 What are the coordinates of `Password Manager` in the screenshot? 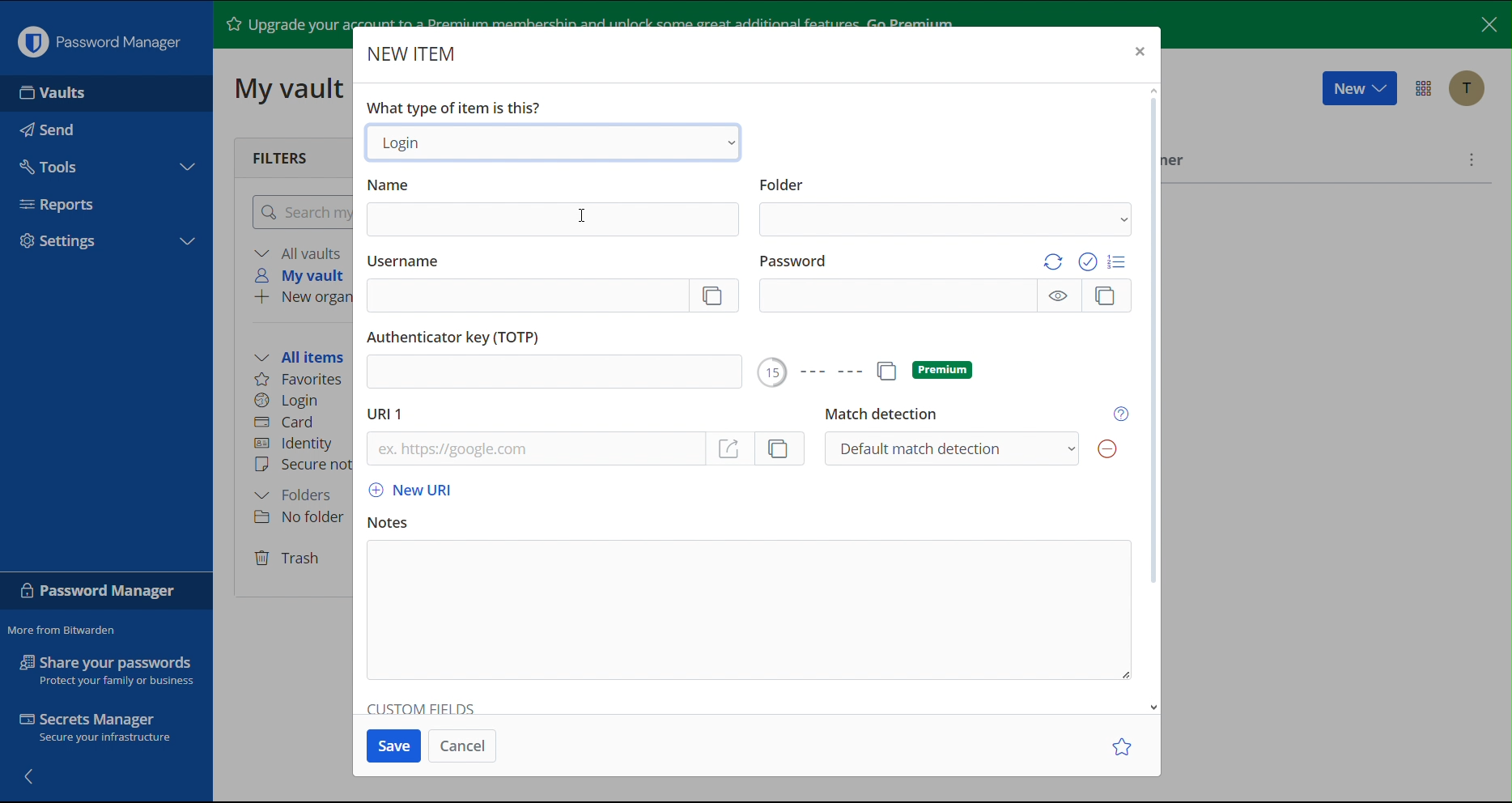 It's located at (96, 41).